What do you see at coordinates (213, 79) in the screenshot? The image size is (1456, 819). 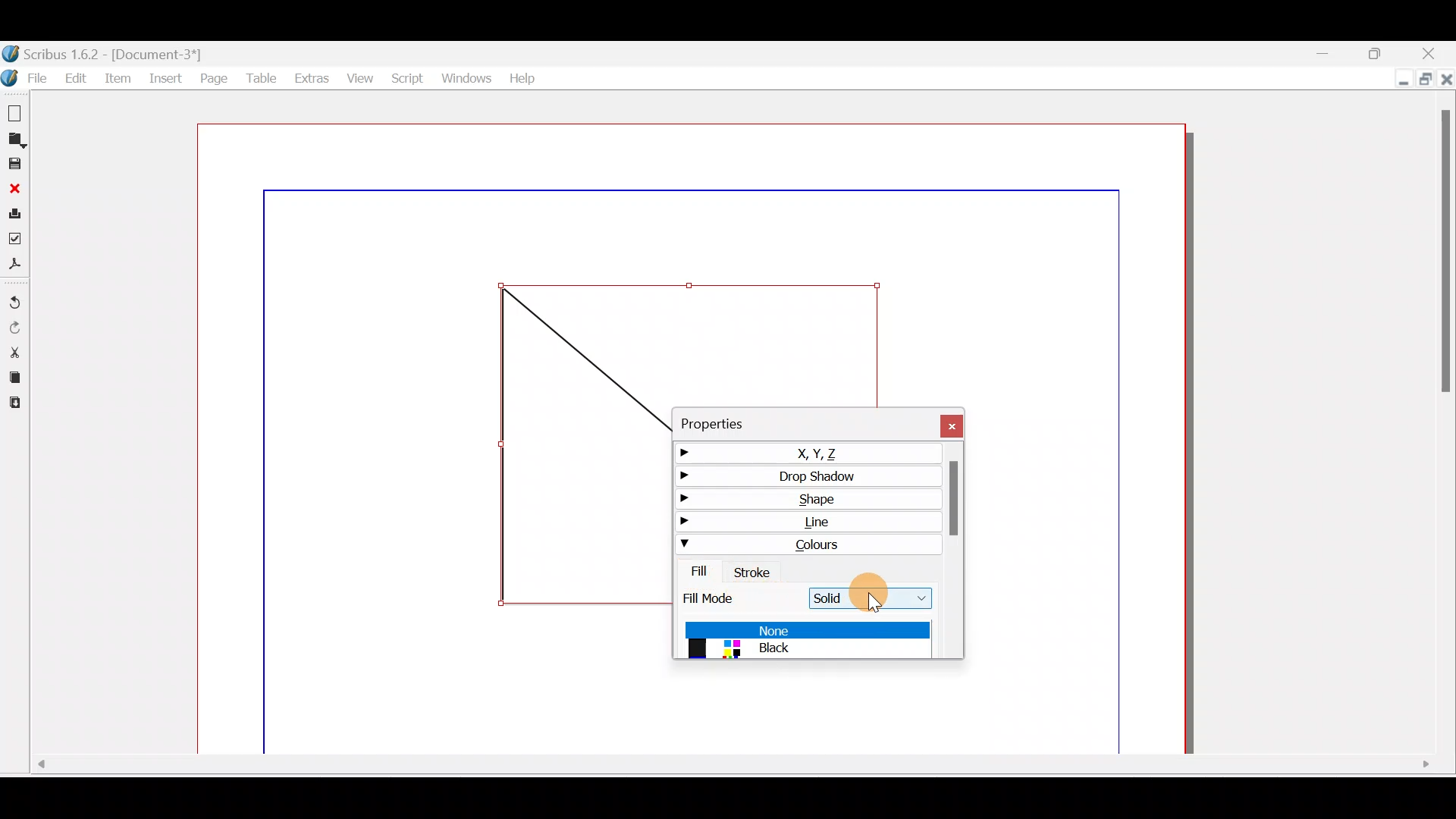 I see `Page` at bounding box center [213, 79].